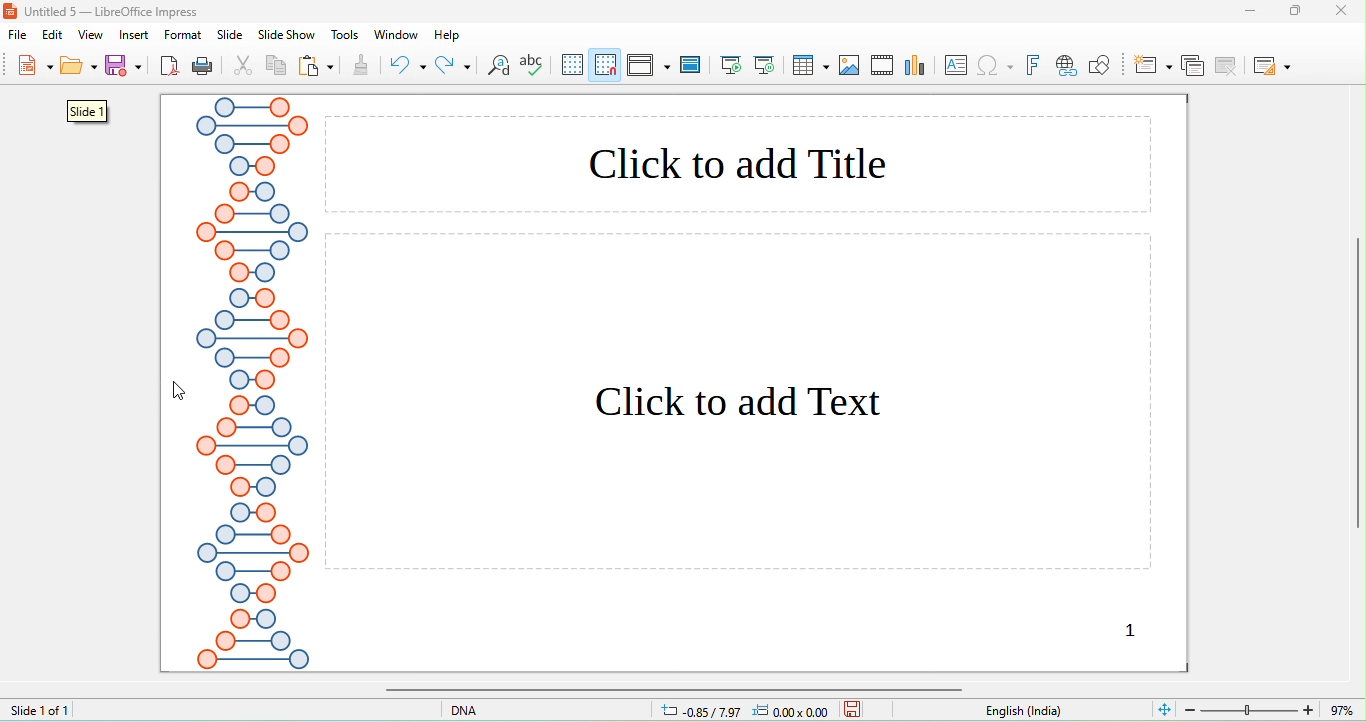 The height and width of the screenshot is (722, 1366). What do you see at coordinates (1192, 65) in the screenshot?
I see `duplicate slide` at bounding box center [1192, 65].